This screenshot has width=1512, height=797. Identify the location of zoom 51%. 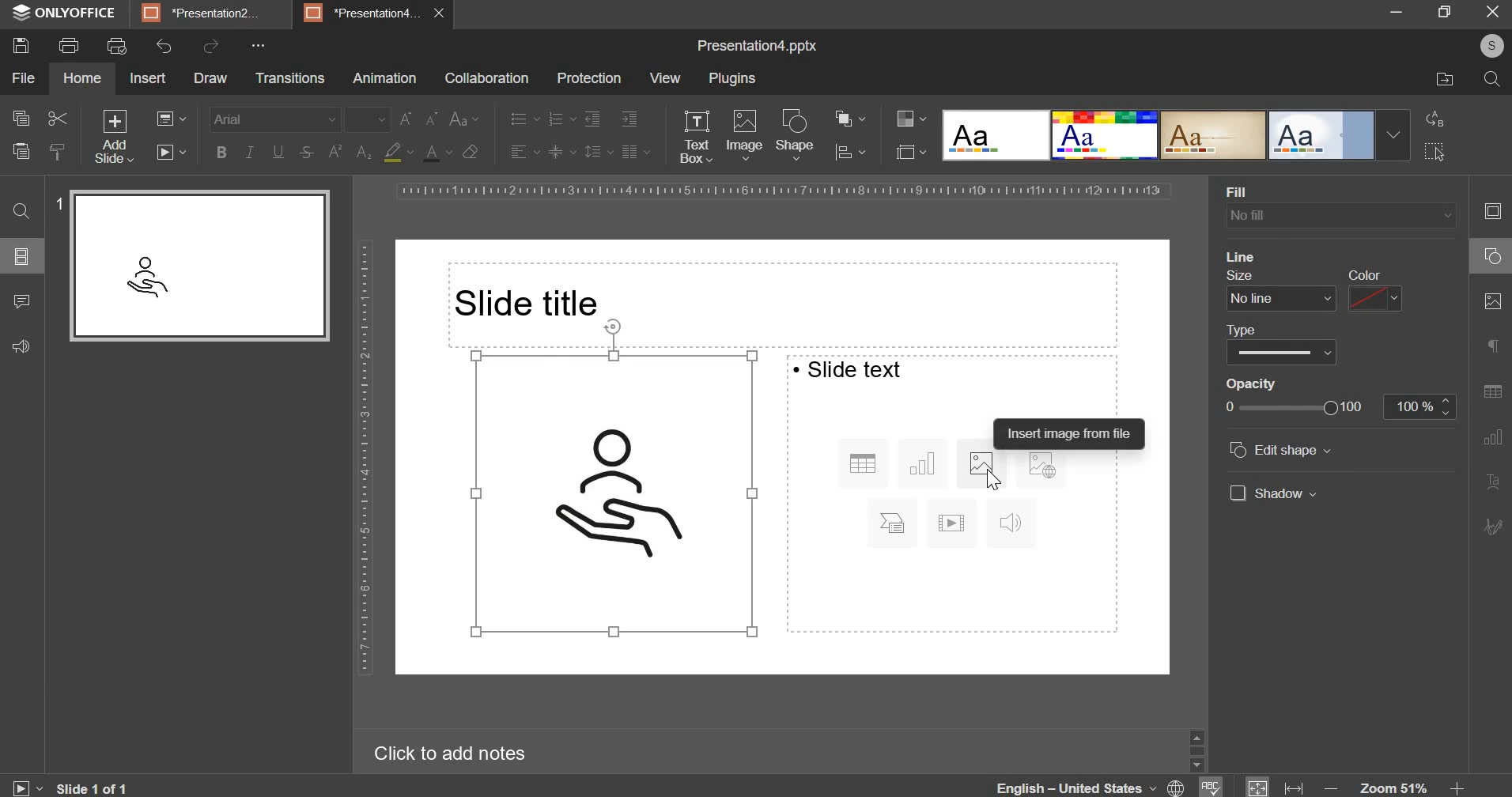
(1393, 788).